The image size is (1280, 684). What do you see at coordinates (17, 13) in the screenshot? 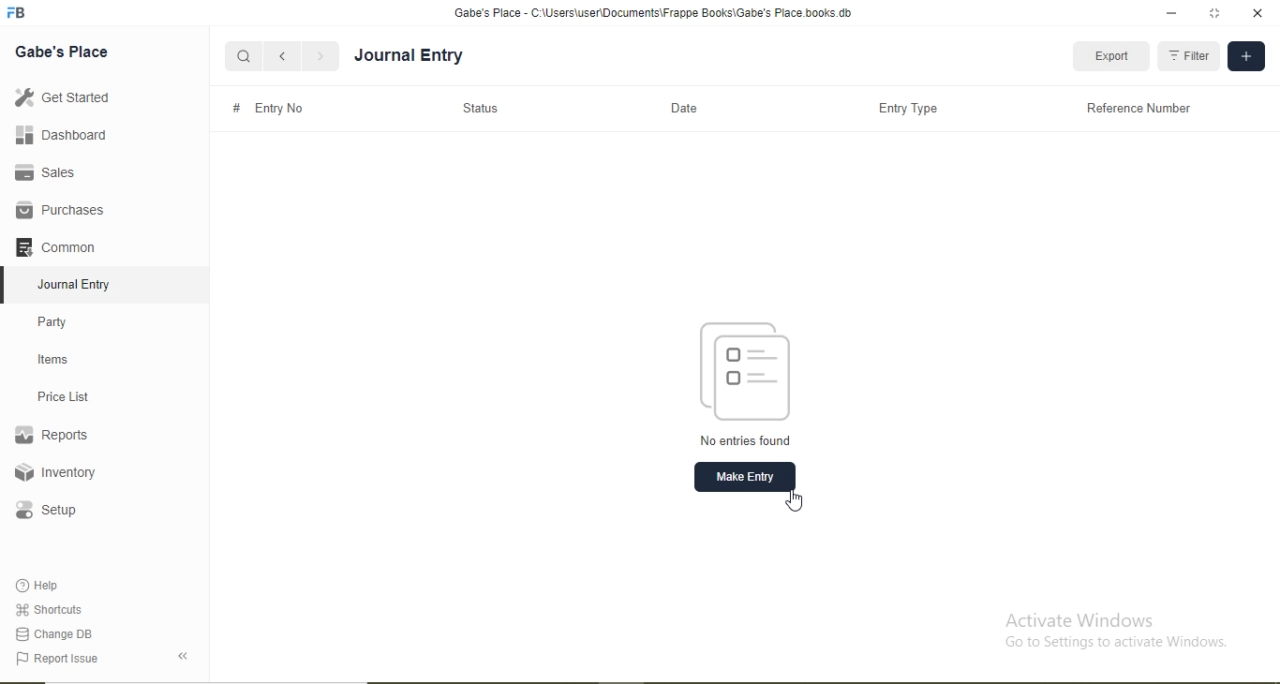
I see `Logo` at bounding box center [17, 13].